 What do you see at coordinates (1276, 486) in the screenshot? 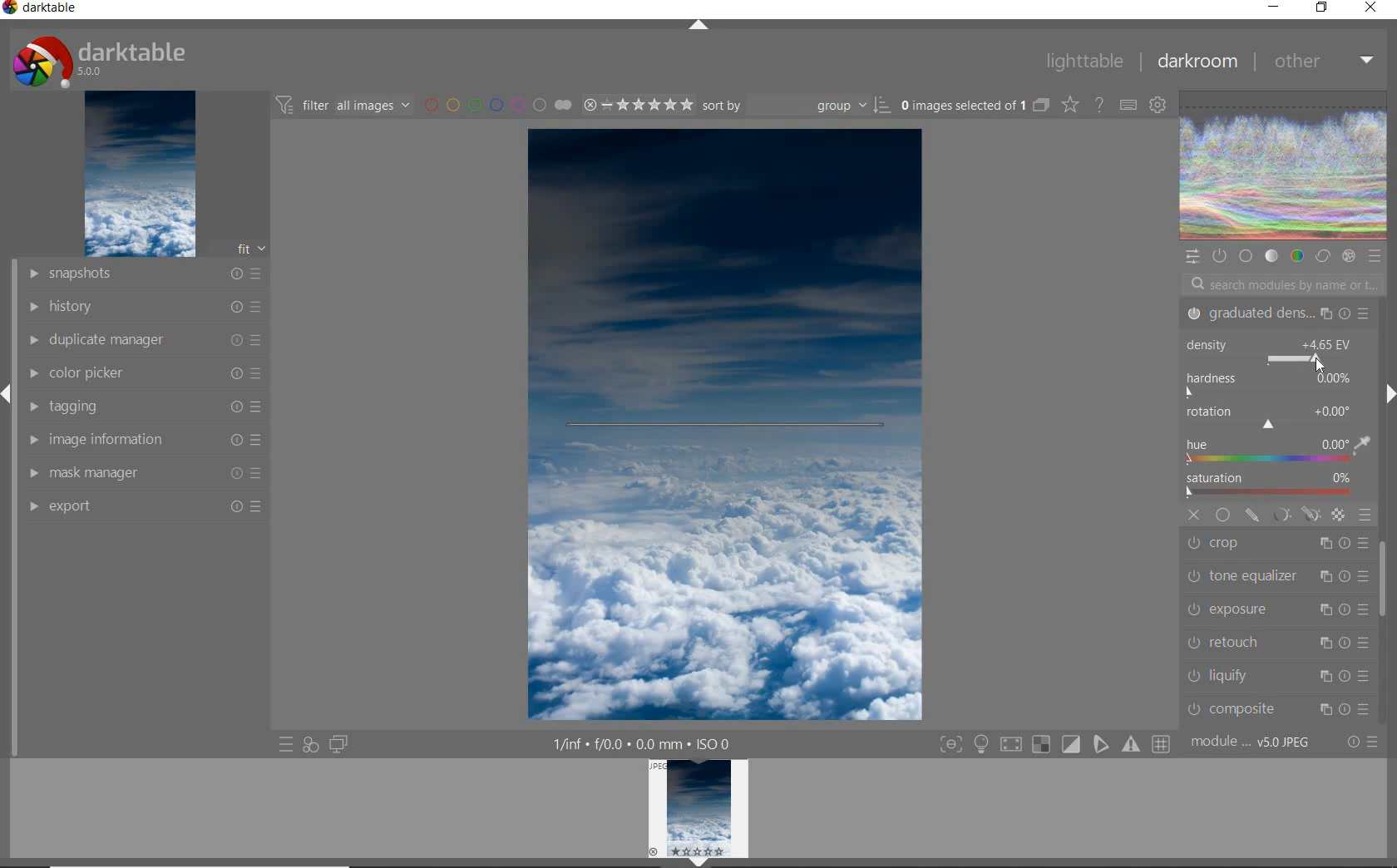
I see `SATURATION` at bounding box center [1276, 486].